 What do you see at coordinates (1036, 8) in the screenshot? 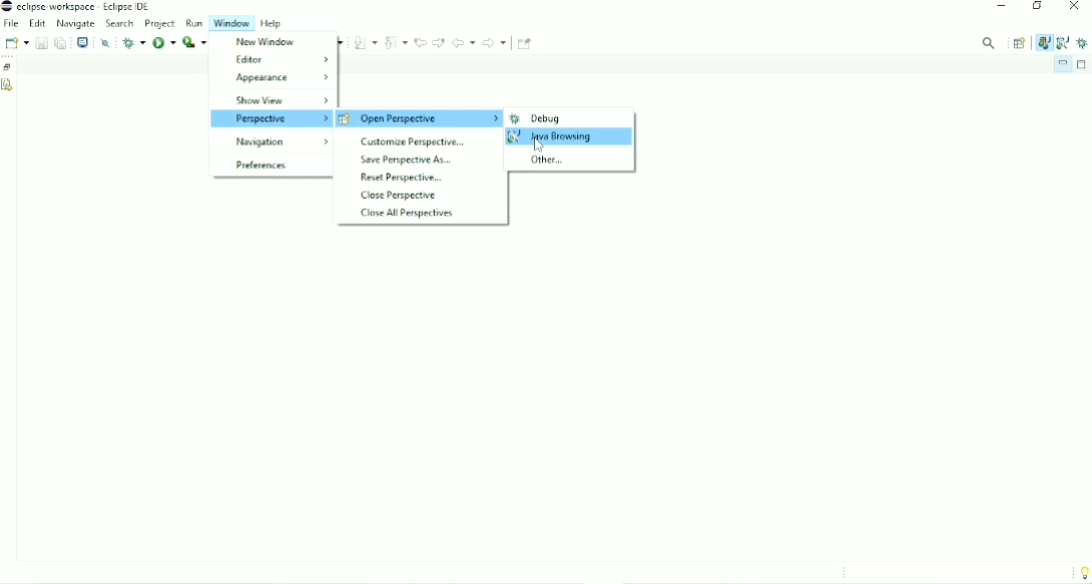
I see `Restore down` at bounding box center [1036, 8].